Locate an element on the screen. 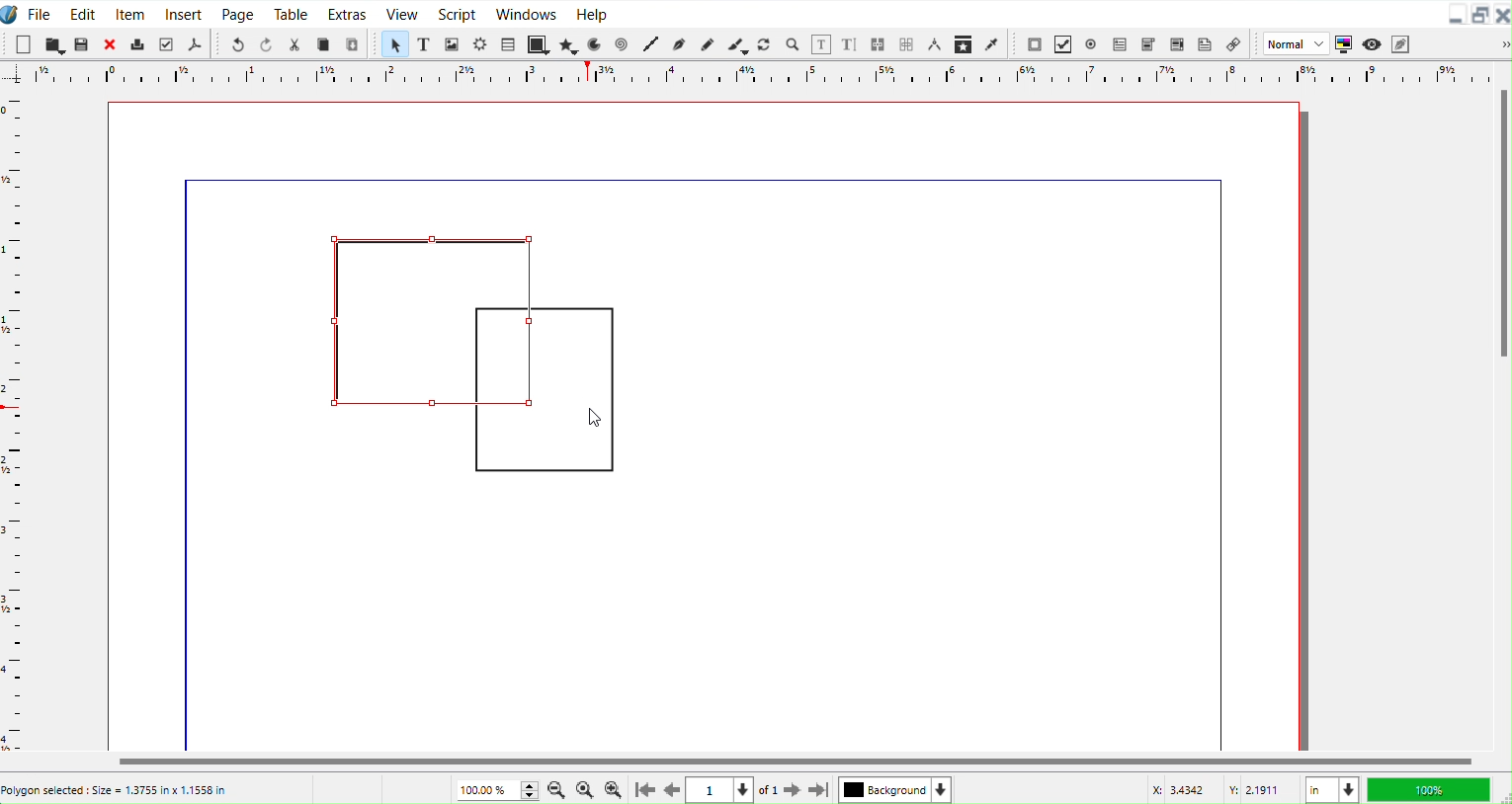 This screenshot has width=1512, height=804. Cursor is located at coordinates (593, 417).